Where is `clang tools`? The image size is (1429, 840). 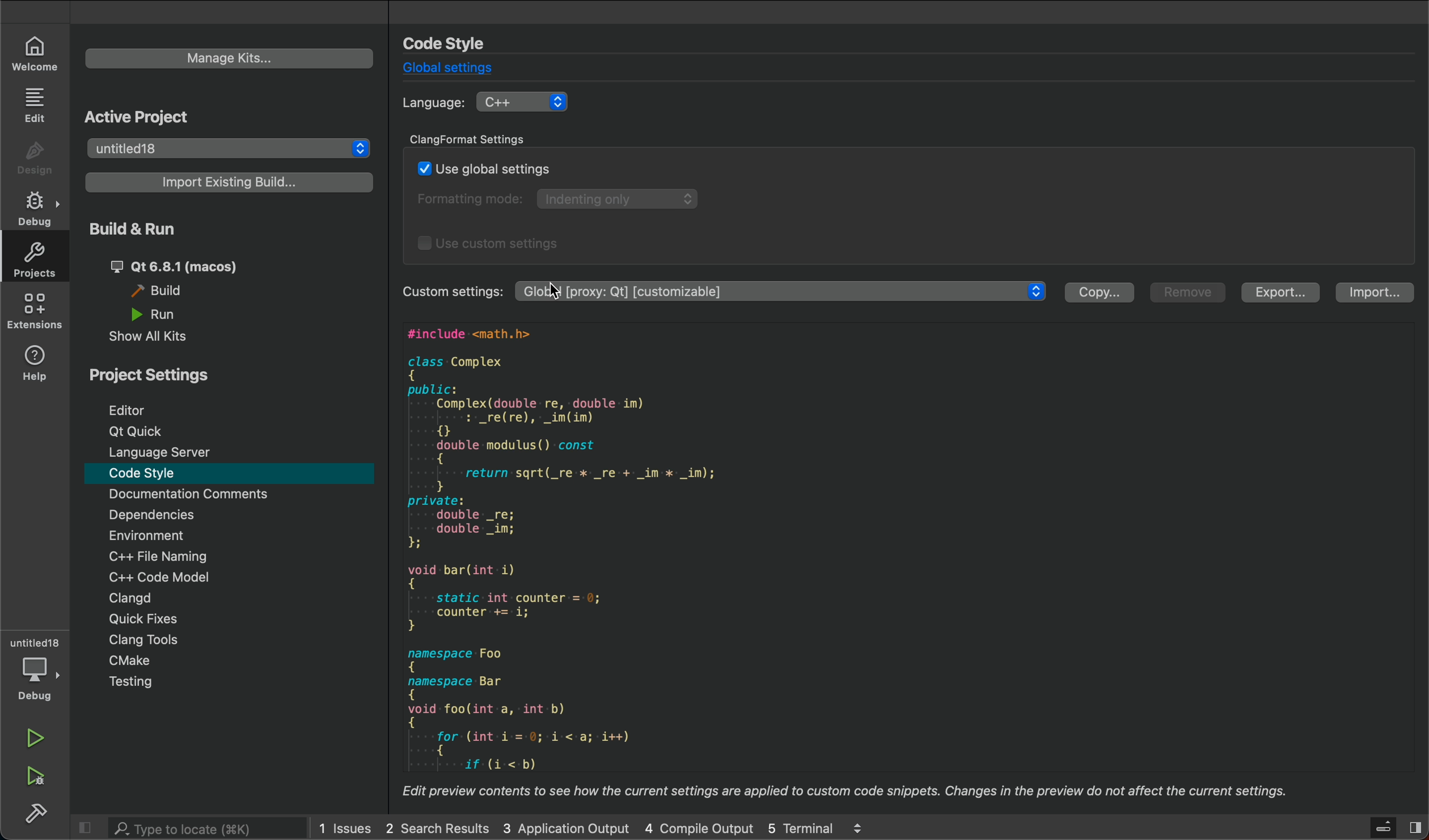
clang tools is located at coordinates (147, 641).